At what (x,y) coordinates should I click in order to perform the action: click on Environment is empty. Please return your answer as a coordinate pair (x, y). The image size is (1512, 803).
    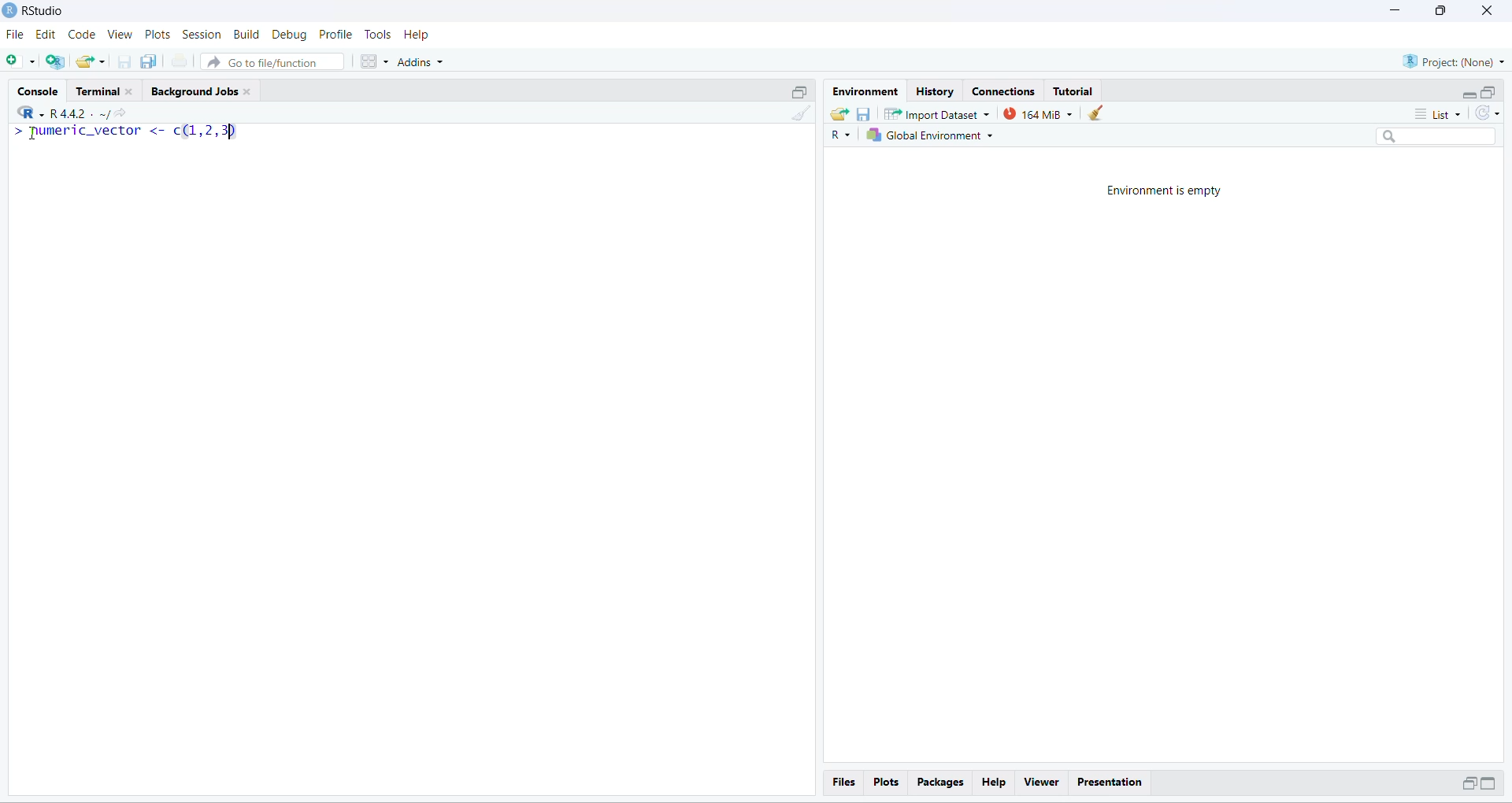
    Looking at the image, I should click on (1164, 193).